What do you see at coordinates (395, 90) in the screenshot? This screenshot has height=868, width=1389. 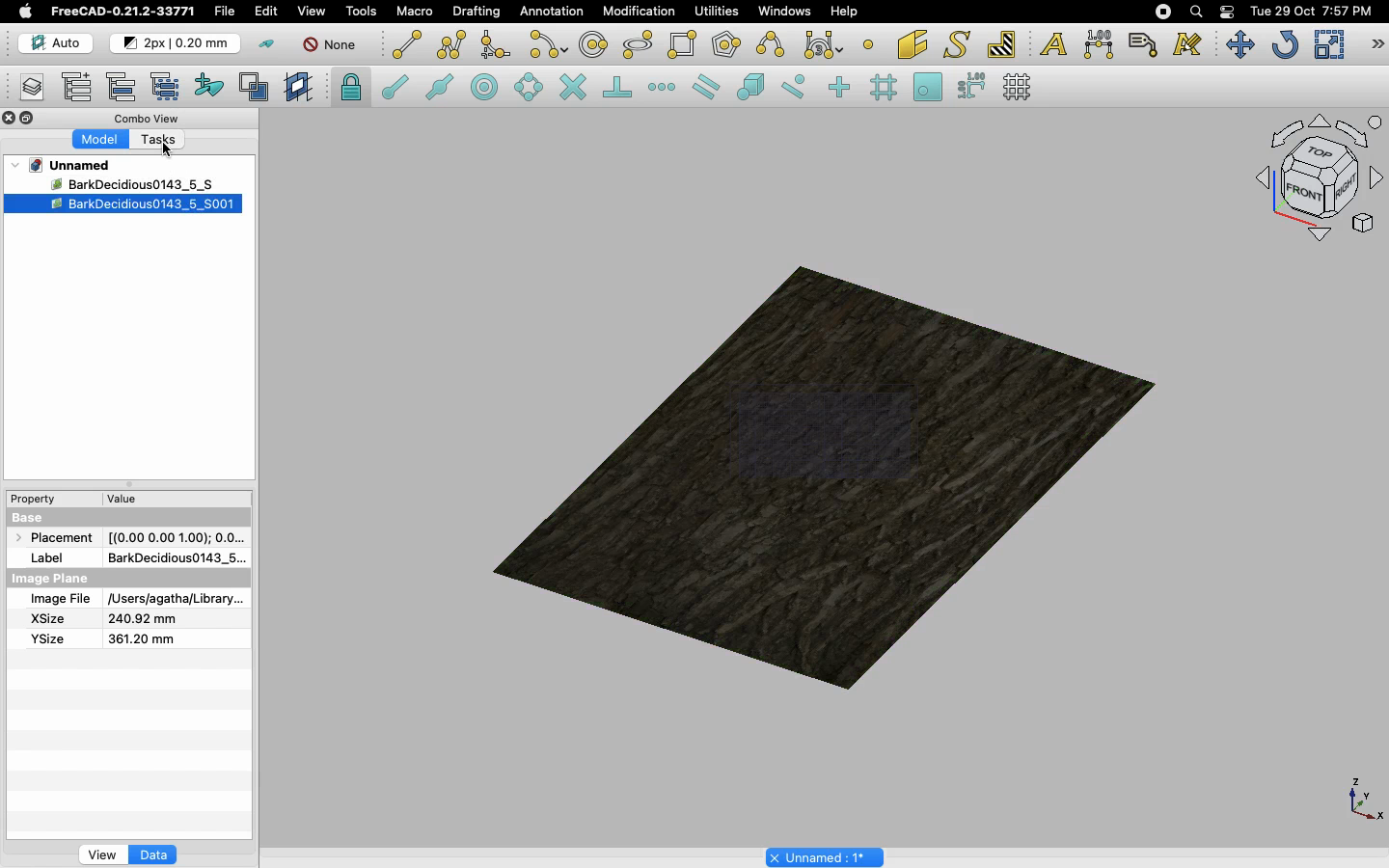 I see `Snap endpoint` at bounding box center [395, 90].